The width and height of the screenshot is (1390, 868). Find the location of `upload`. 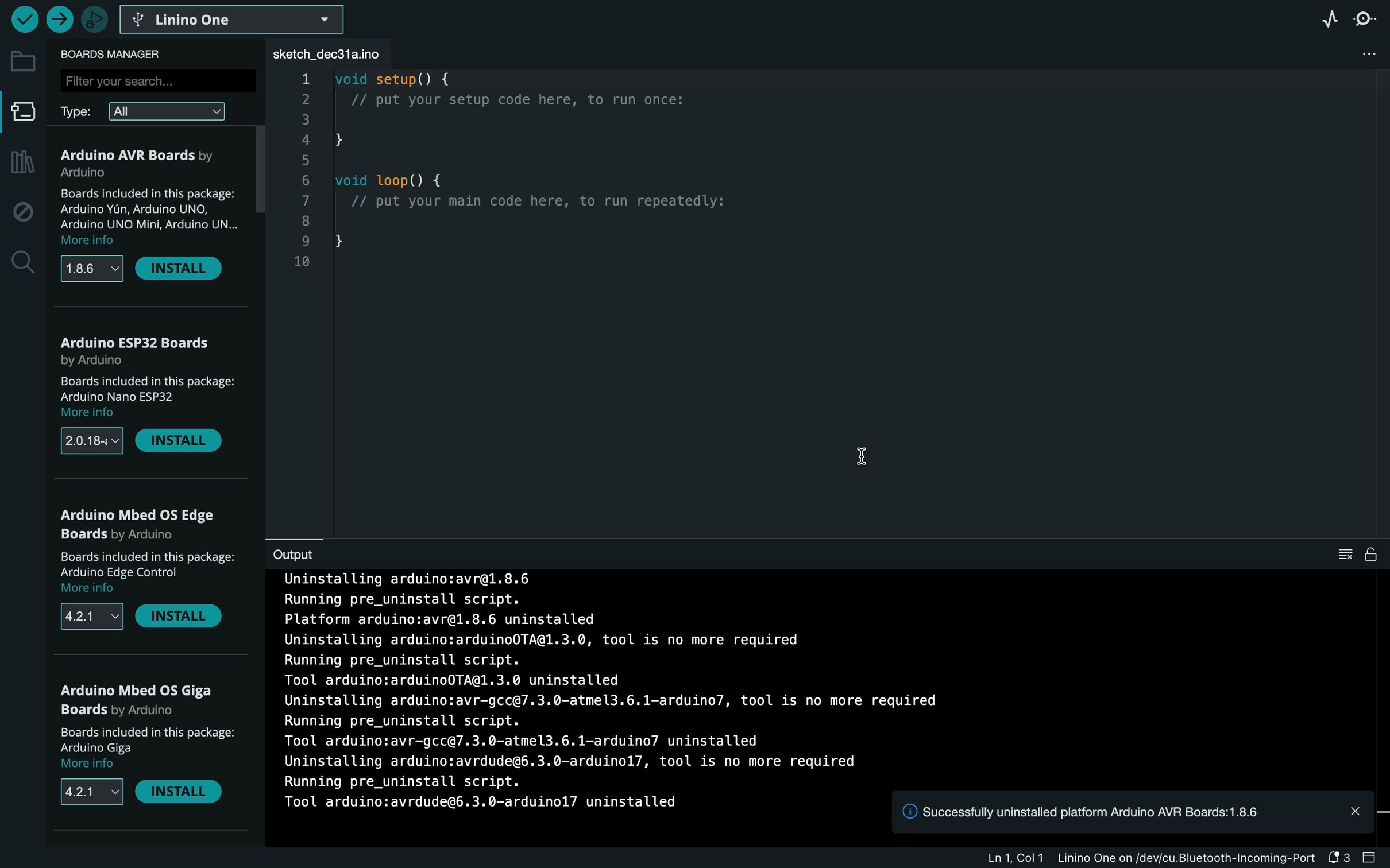

upload is located at coordinates (59, 22).